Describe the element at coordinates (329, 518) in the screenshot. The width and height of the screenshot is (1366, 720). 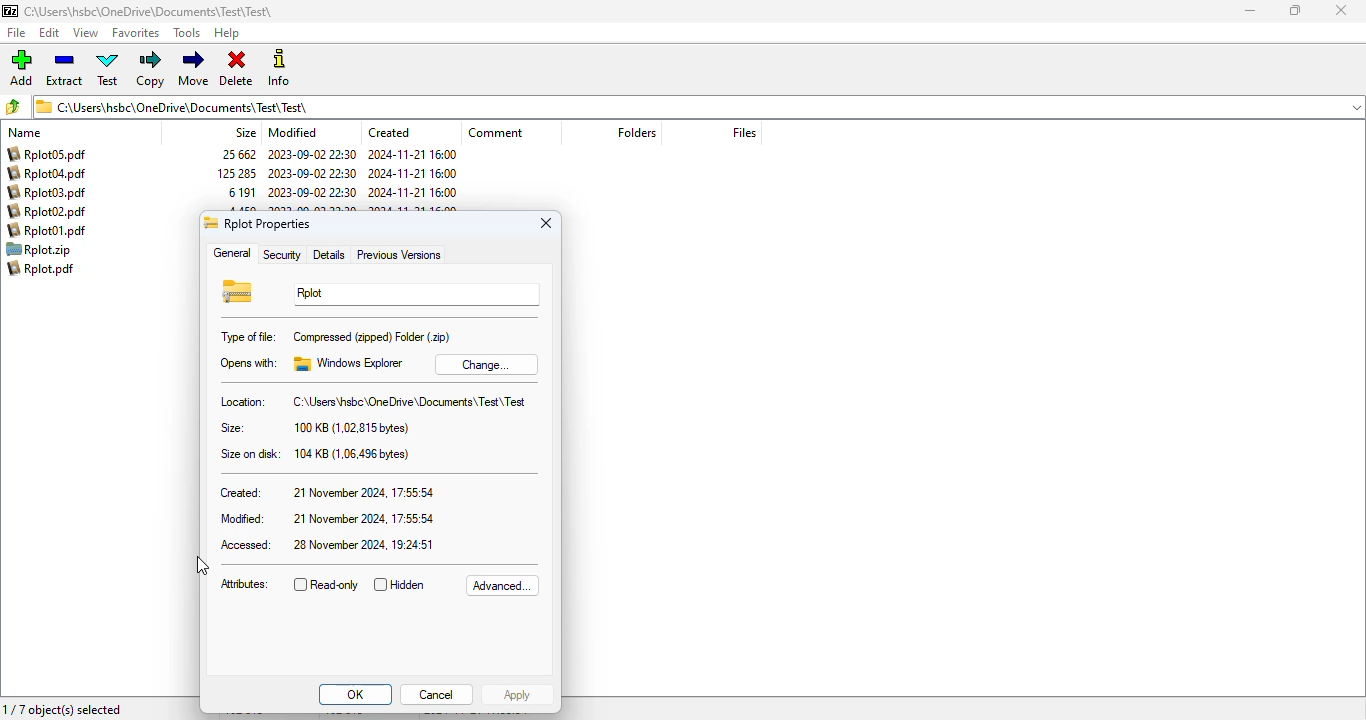
I see `last modified: 21 november 2024, 17:55:54` at that location.